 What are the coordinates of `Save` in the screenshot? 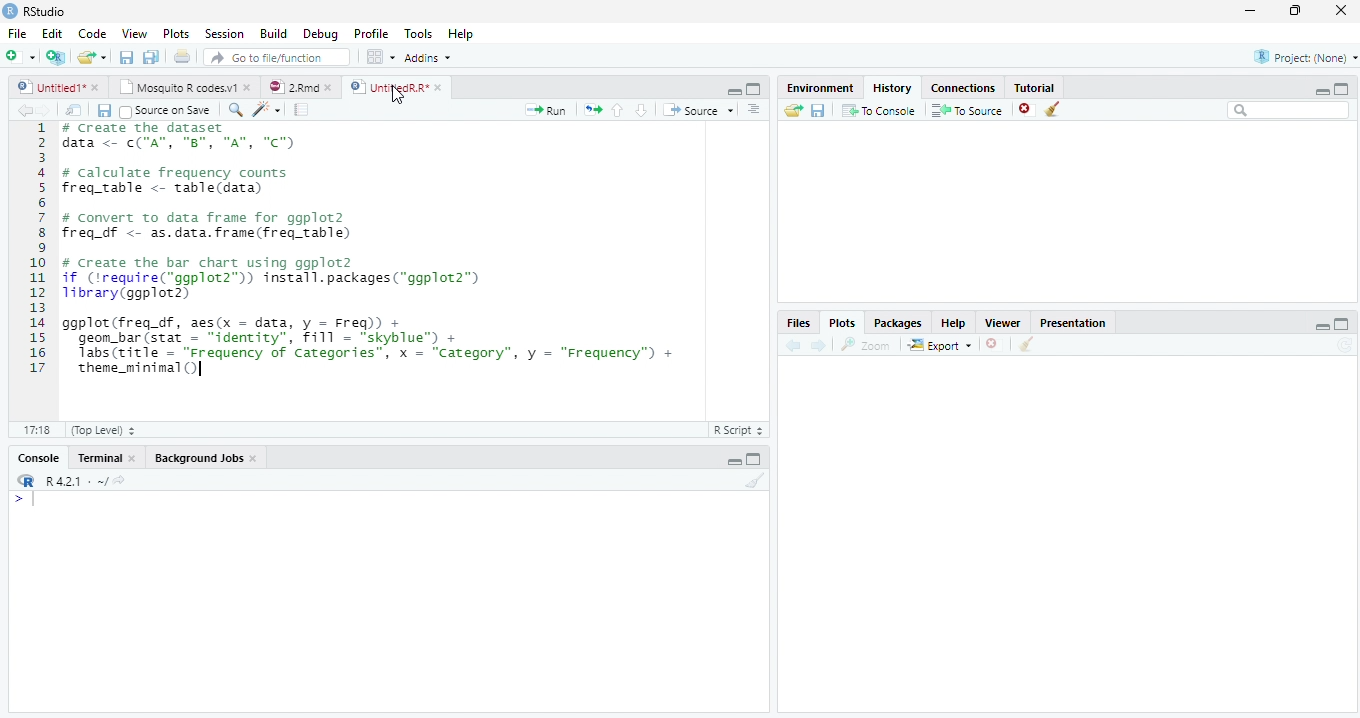 It's located at (104, 110).